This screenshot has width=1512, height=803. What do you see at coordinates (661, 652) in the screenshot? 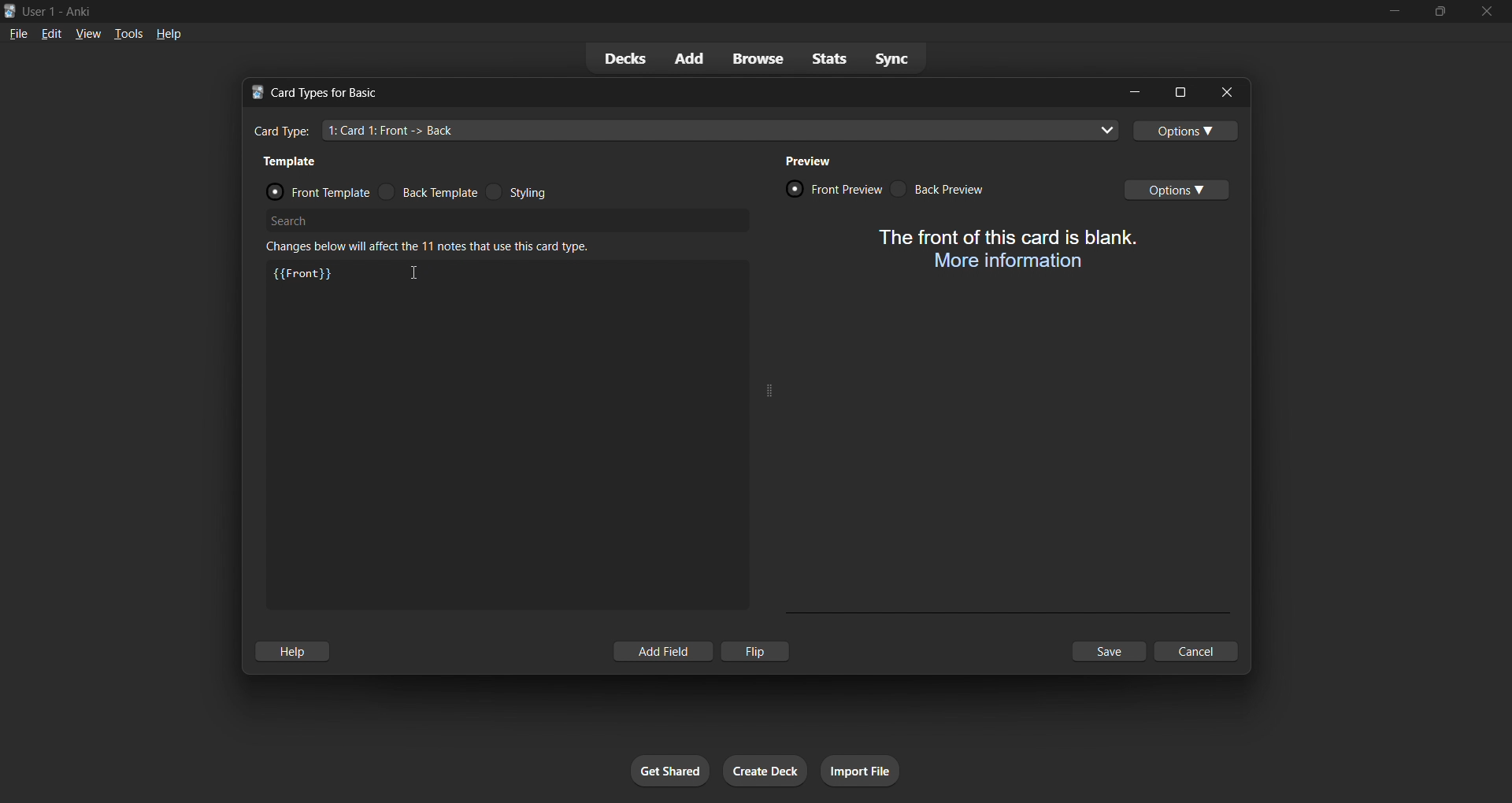
I see `add field` at bounding box center [661, 652].